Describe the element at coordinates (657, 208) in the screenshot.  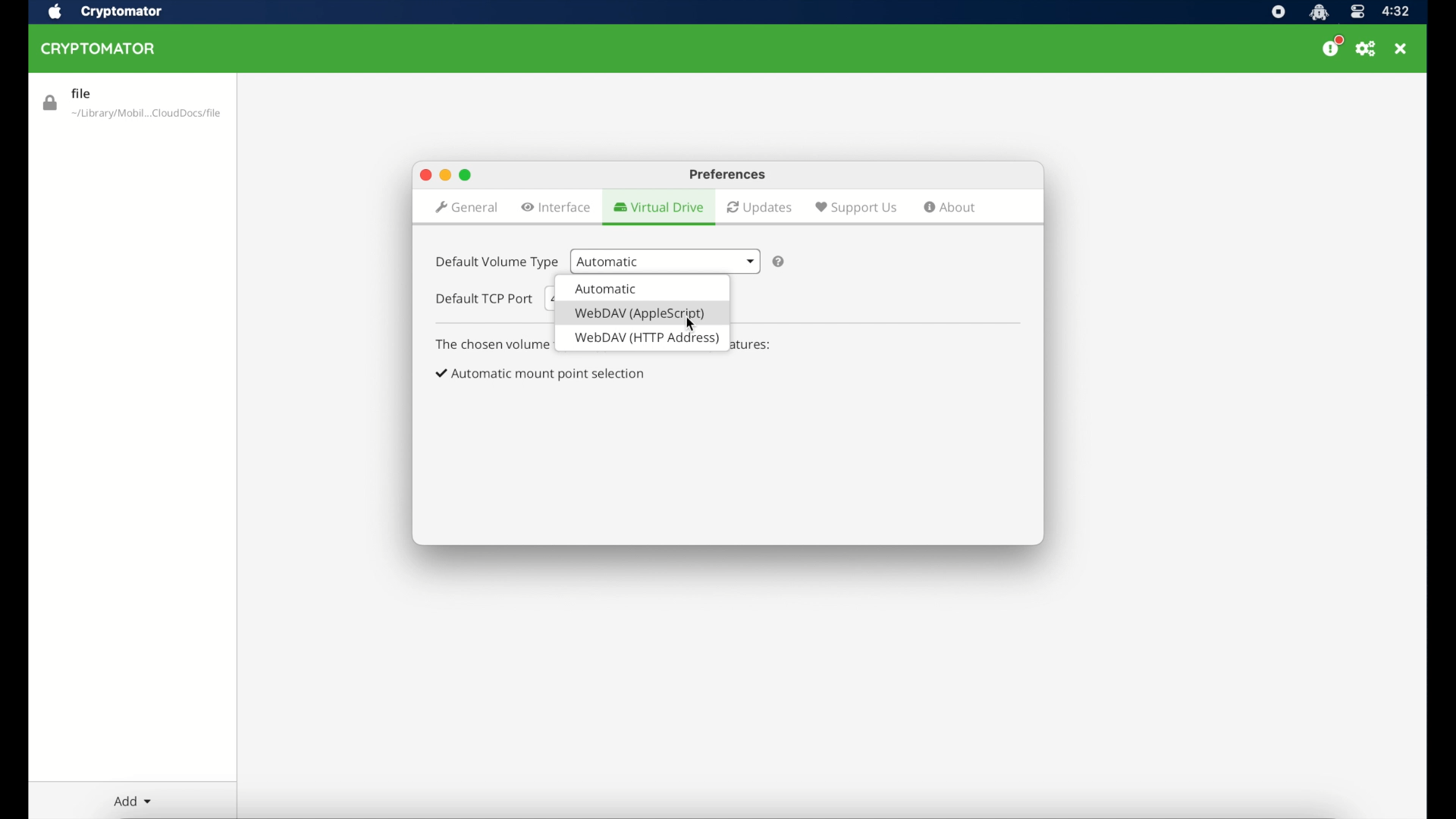
I see `virtual drive highlighted` at that location.